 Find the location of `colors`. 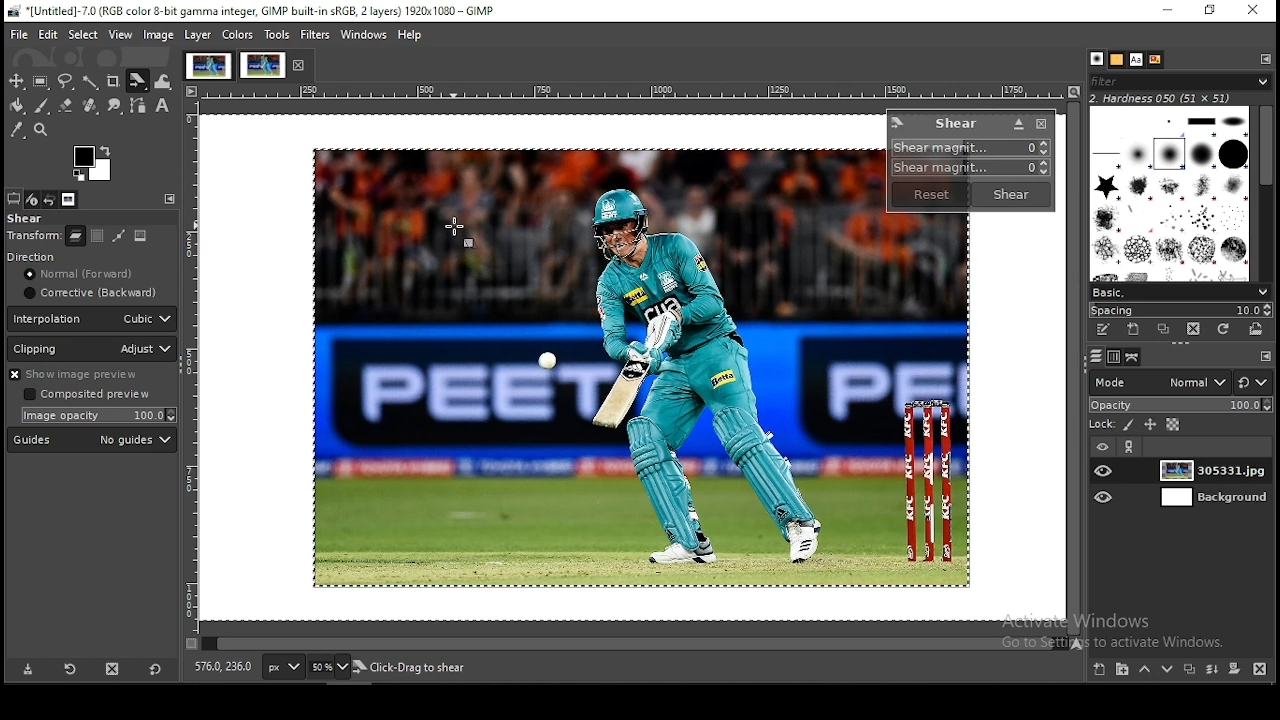

colors is located at coordinates (238, 35).